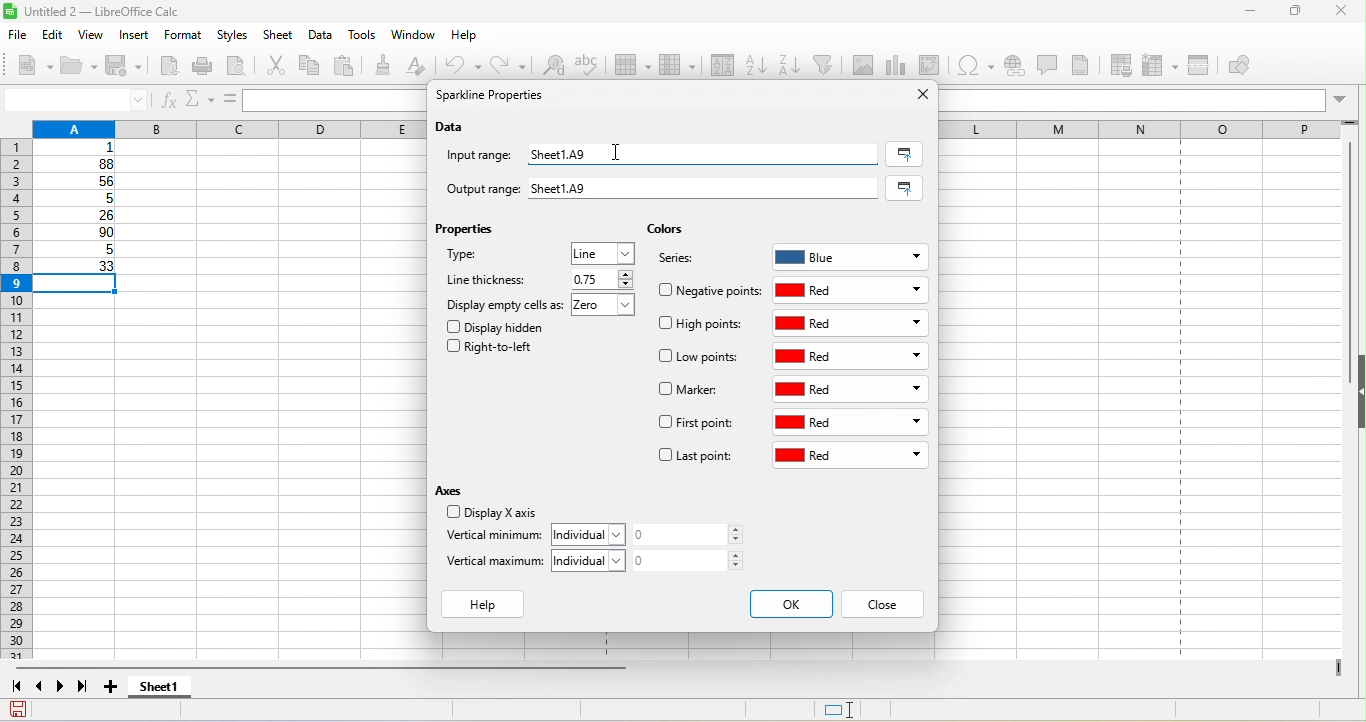  I want to click on freeze rows and column, so click(1162, 65).